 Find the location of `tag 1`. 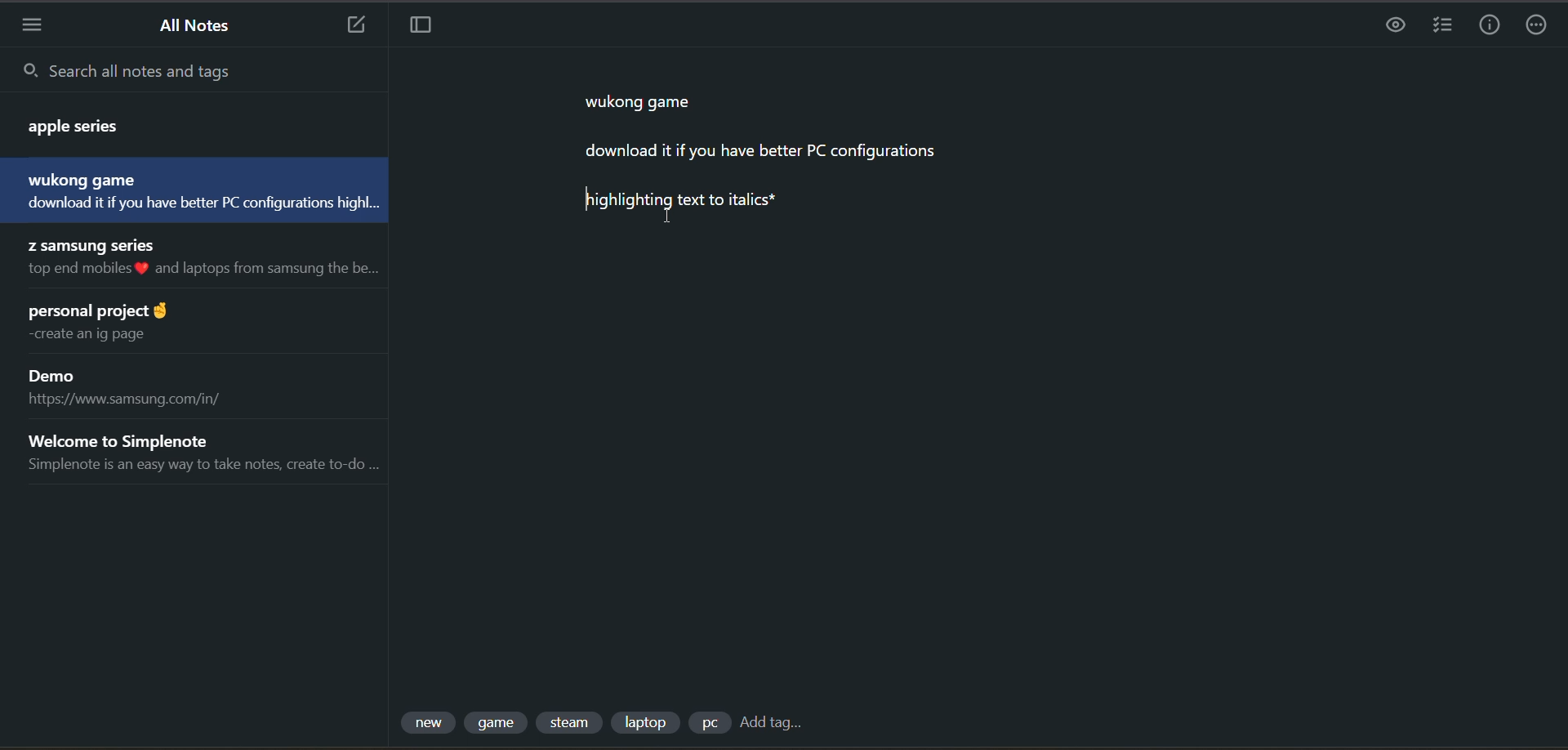

tag 1 is located at coordinates (430, 723).